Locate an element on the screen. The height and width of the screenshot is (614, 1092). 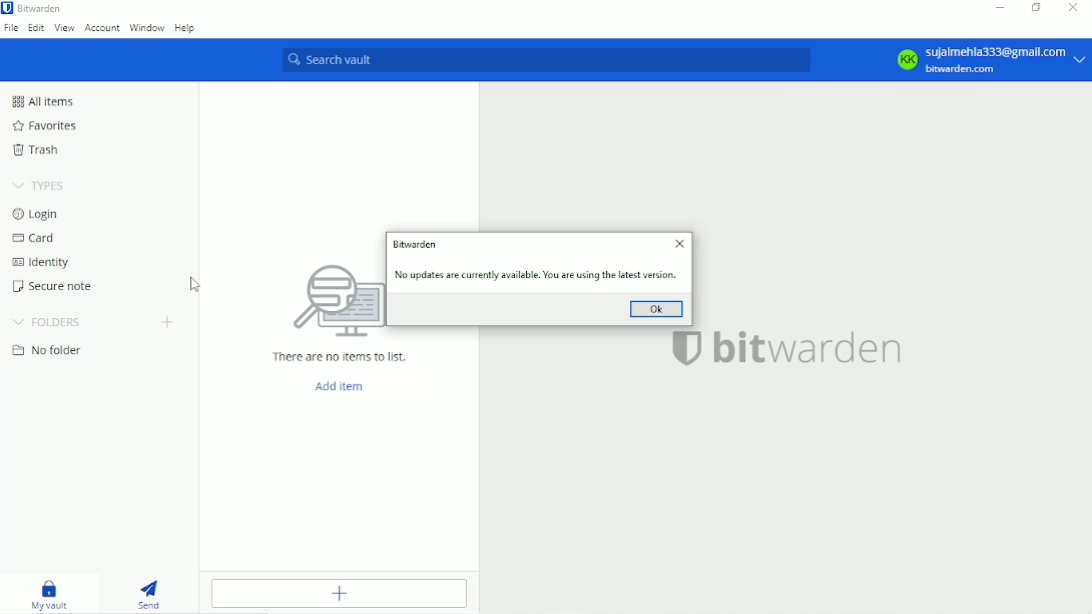
Add item is located at coordinates (341, 386).